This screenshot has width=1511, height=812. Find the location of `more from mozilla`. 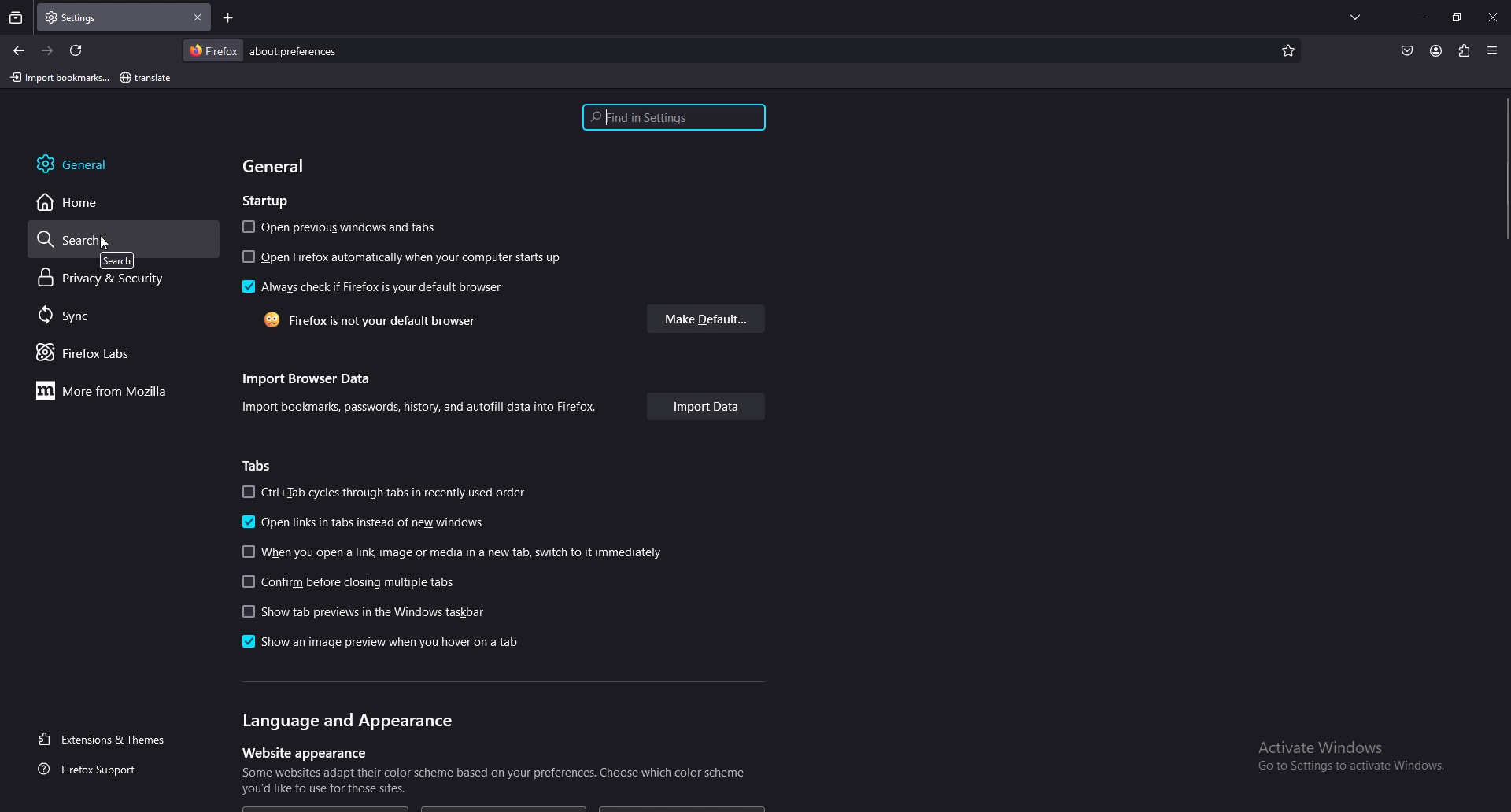

more from mozilla is located at coordinates (113, 391).